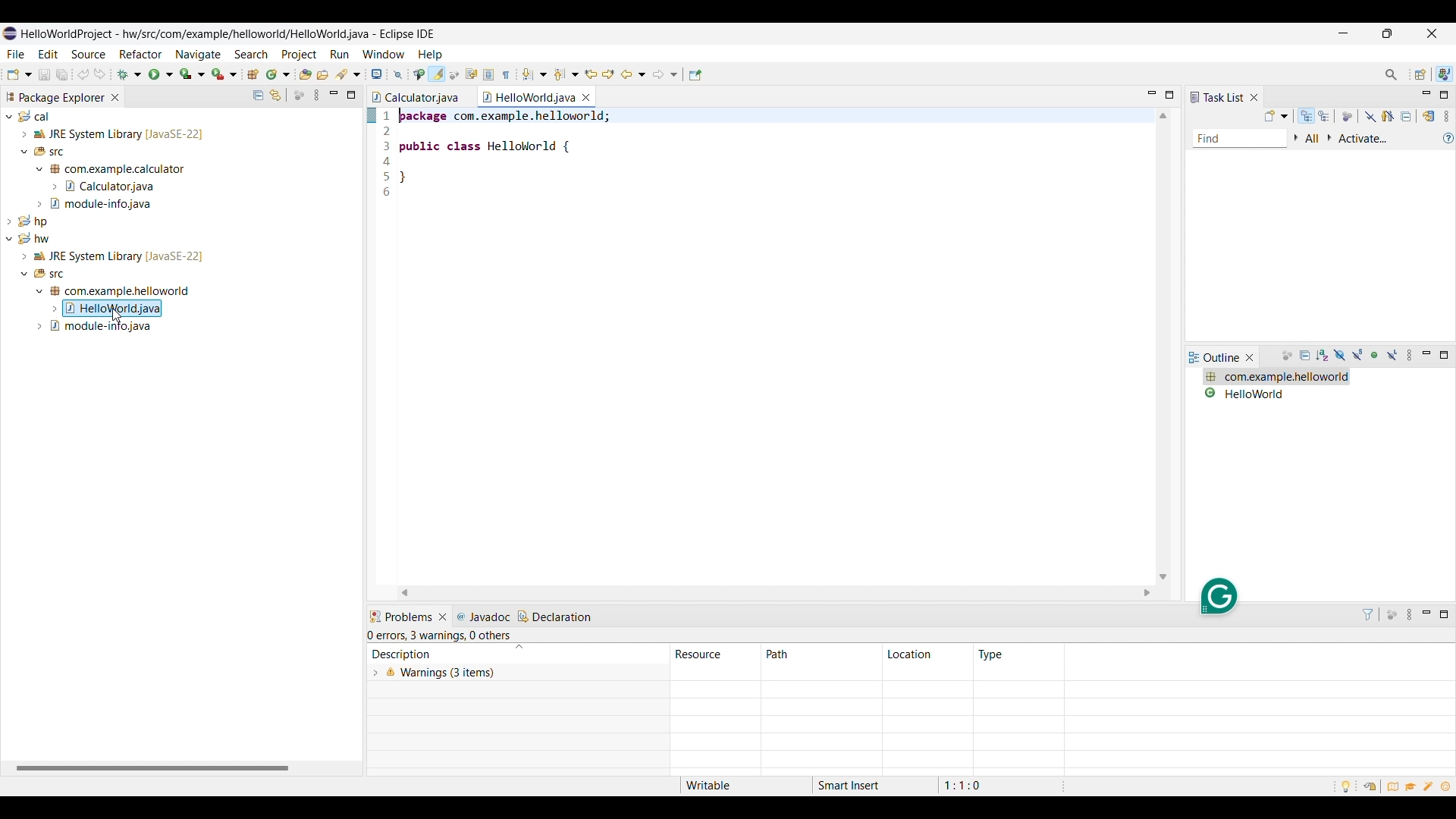 The width and height of the screenshot is (1456, 819). Describe the element at coordinates (179, 160) in the screenshot. I see `cal project` at that location.